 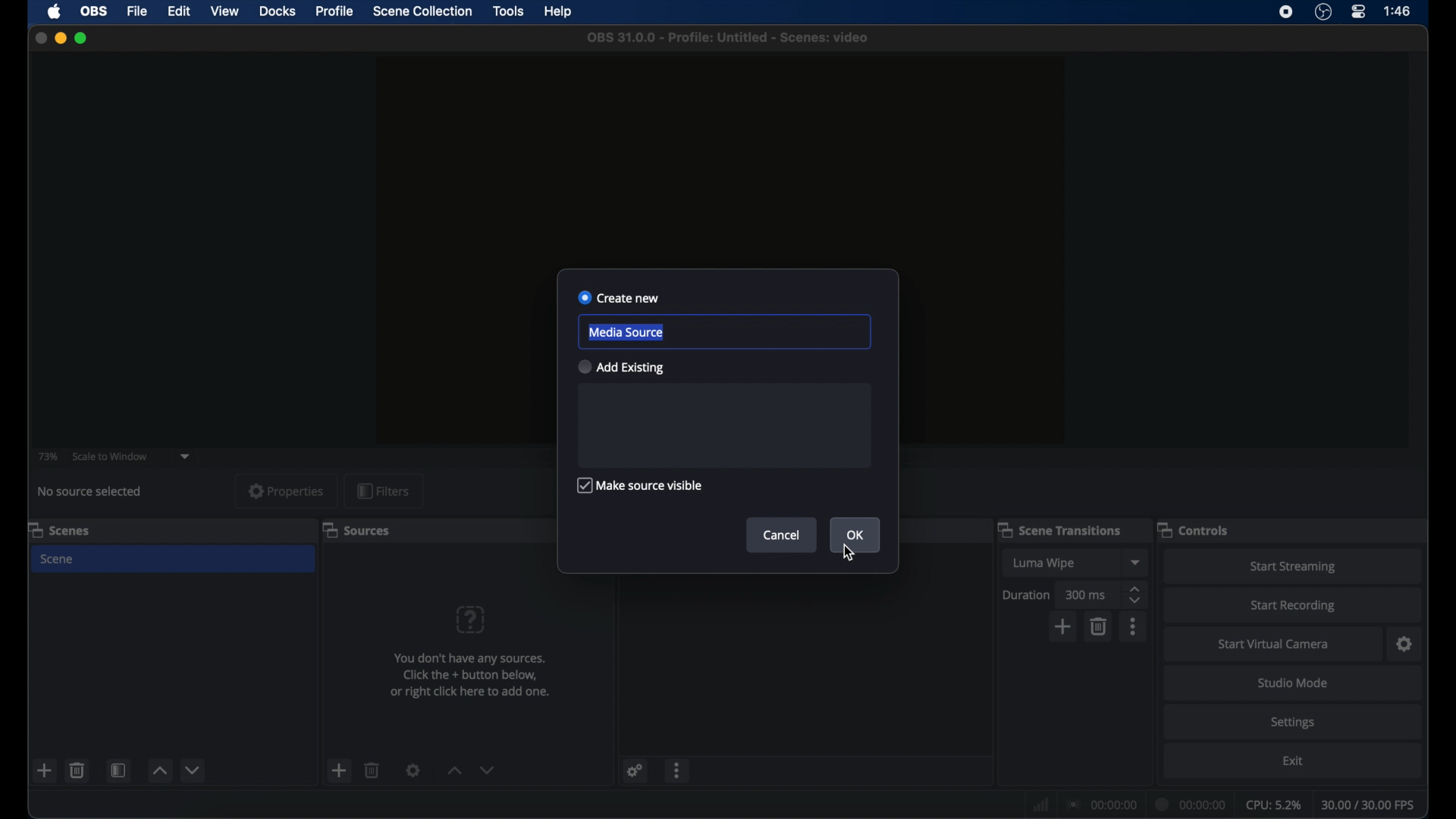 I want to click on create new, so click(x=619, y=297).